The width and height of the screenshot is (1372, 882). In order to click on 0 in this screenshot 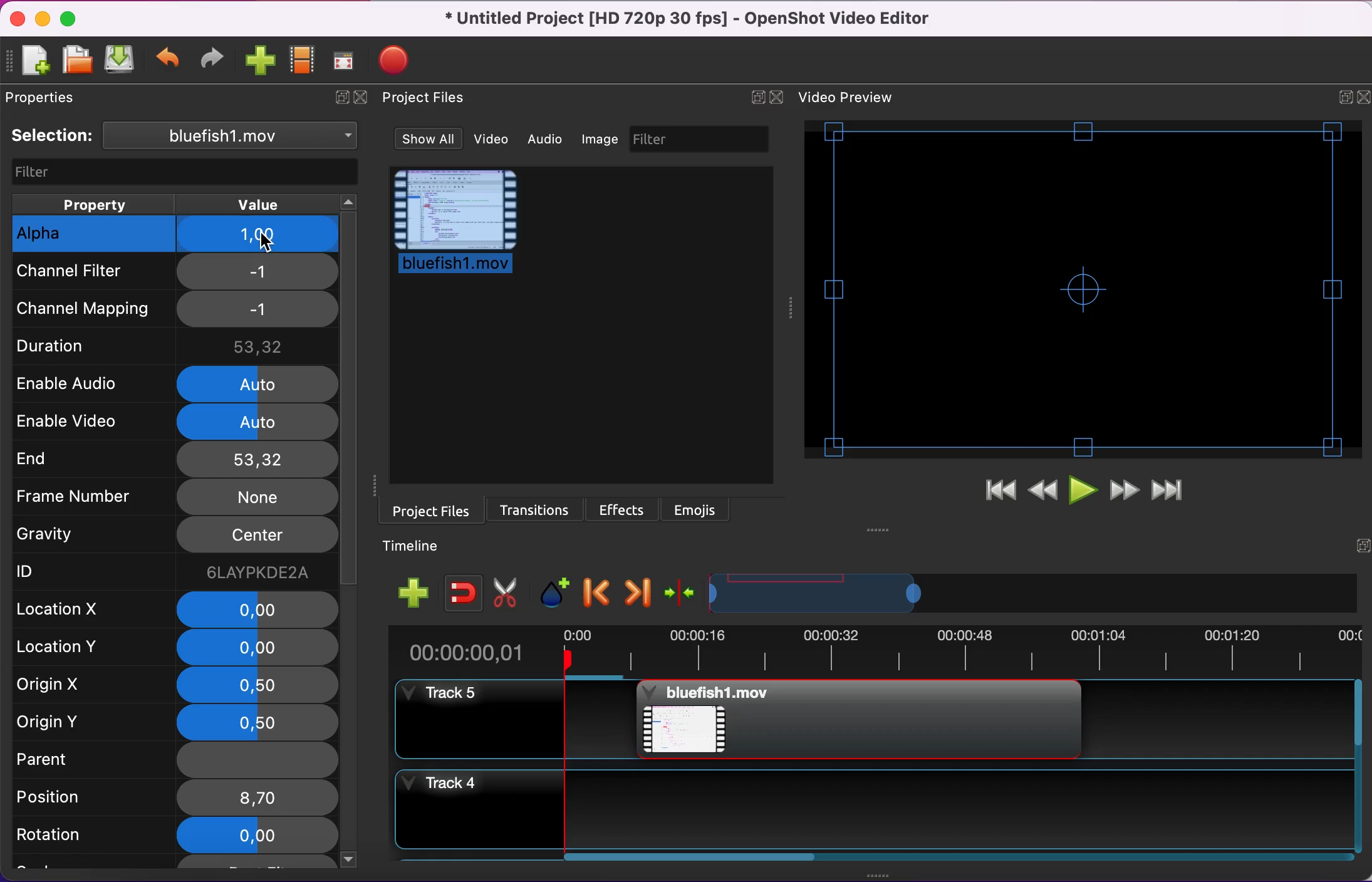, I will do `click(259, 648)`.